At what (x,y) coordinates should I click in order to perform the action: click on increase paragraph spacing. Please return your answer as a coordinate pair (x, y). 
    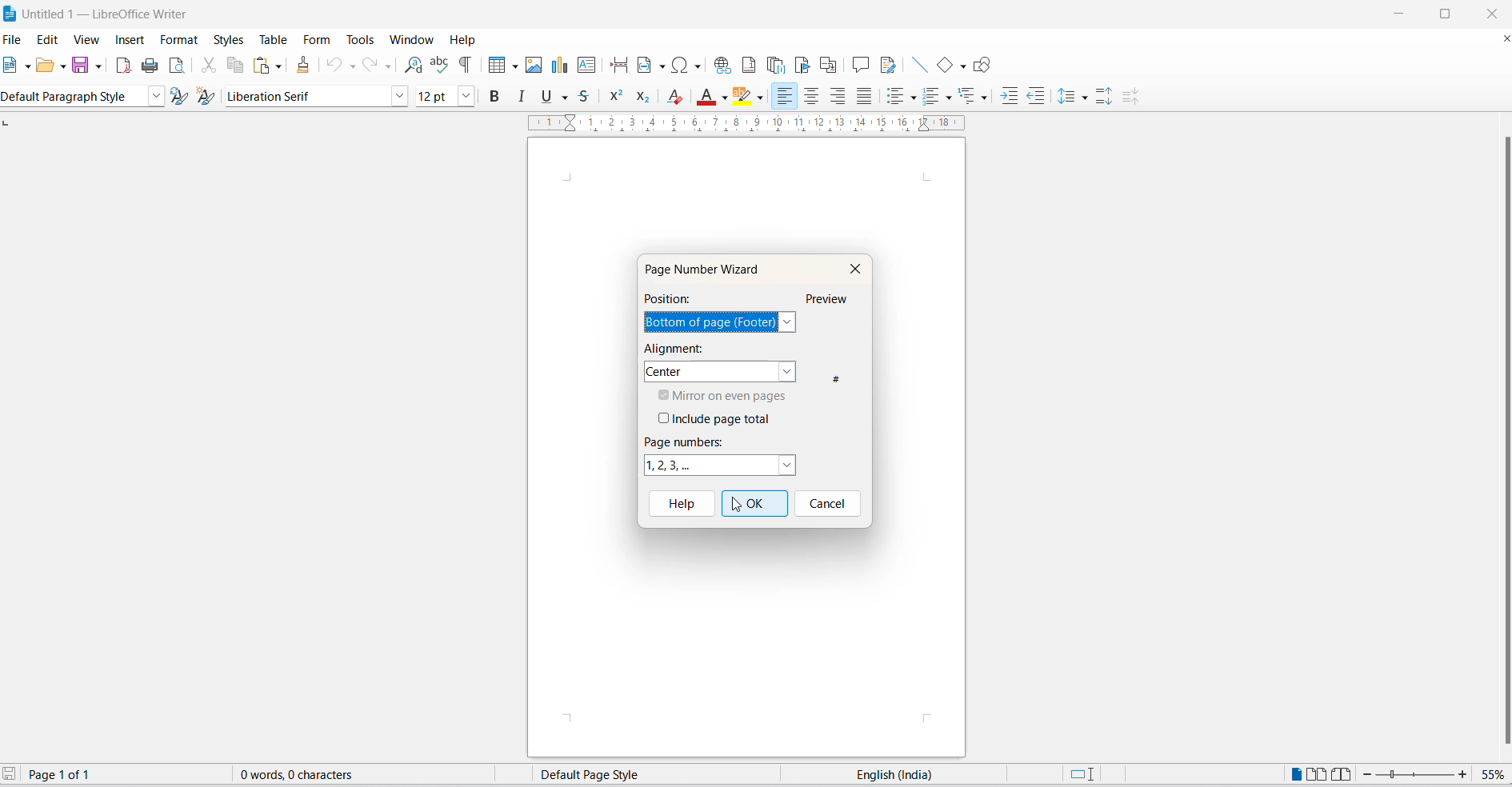
    Looking at the image, I should click on (1106, 98).